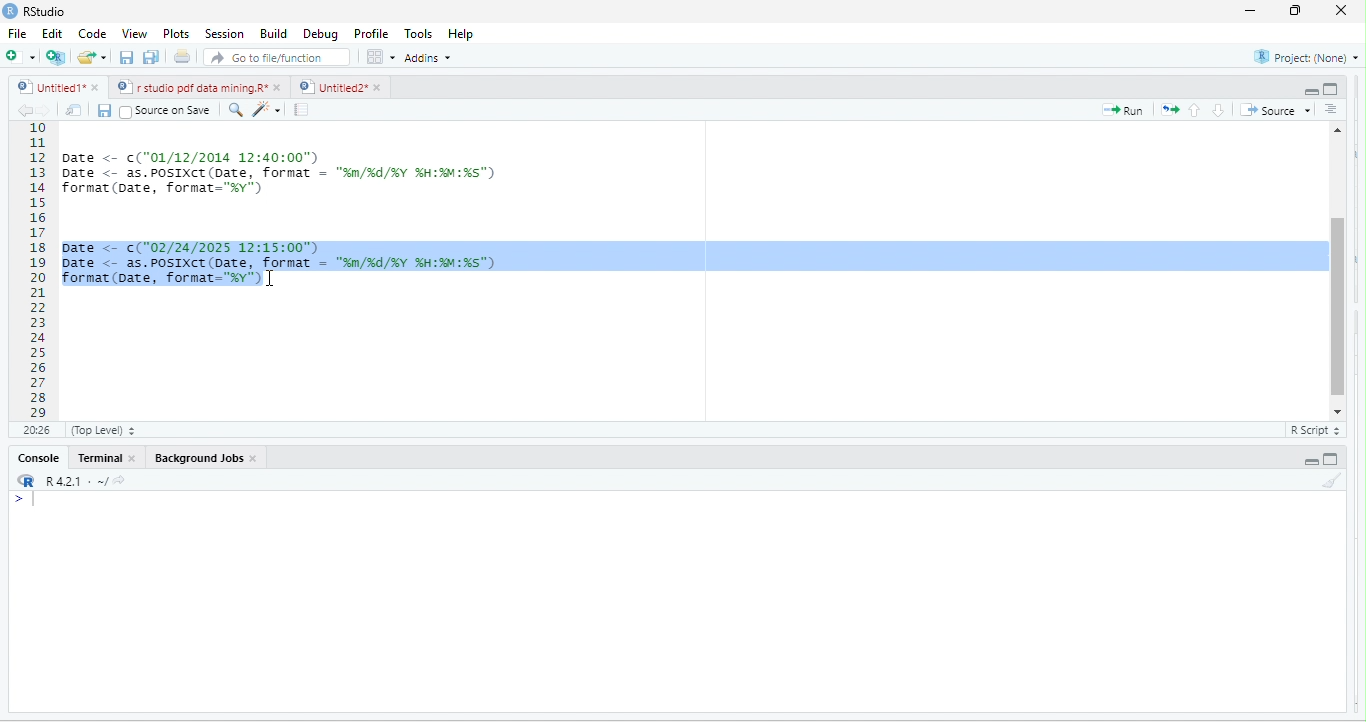 The height and width of the screenshot is (722, 1366). What do you see at coordinates (150, 57) in the screenshot?
I see `save all open documents` at bounding box center [150, 57].